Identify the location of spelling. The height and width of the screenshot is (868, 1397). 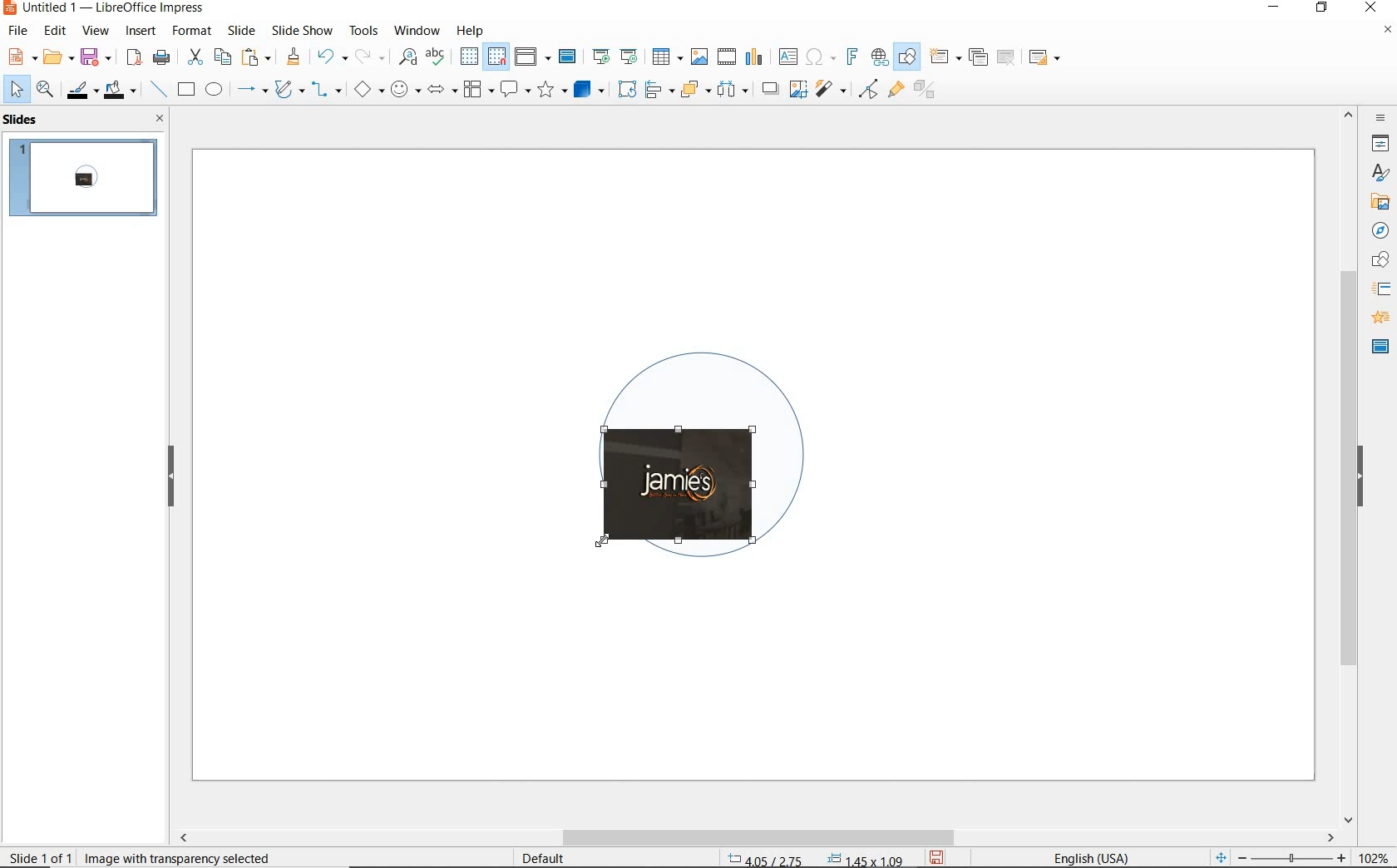
(435, 57).